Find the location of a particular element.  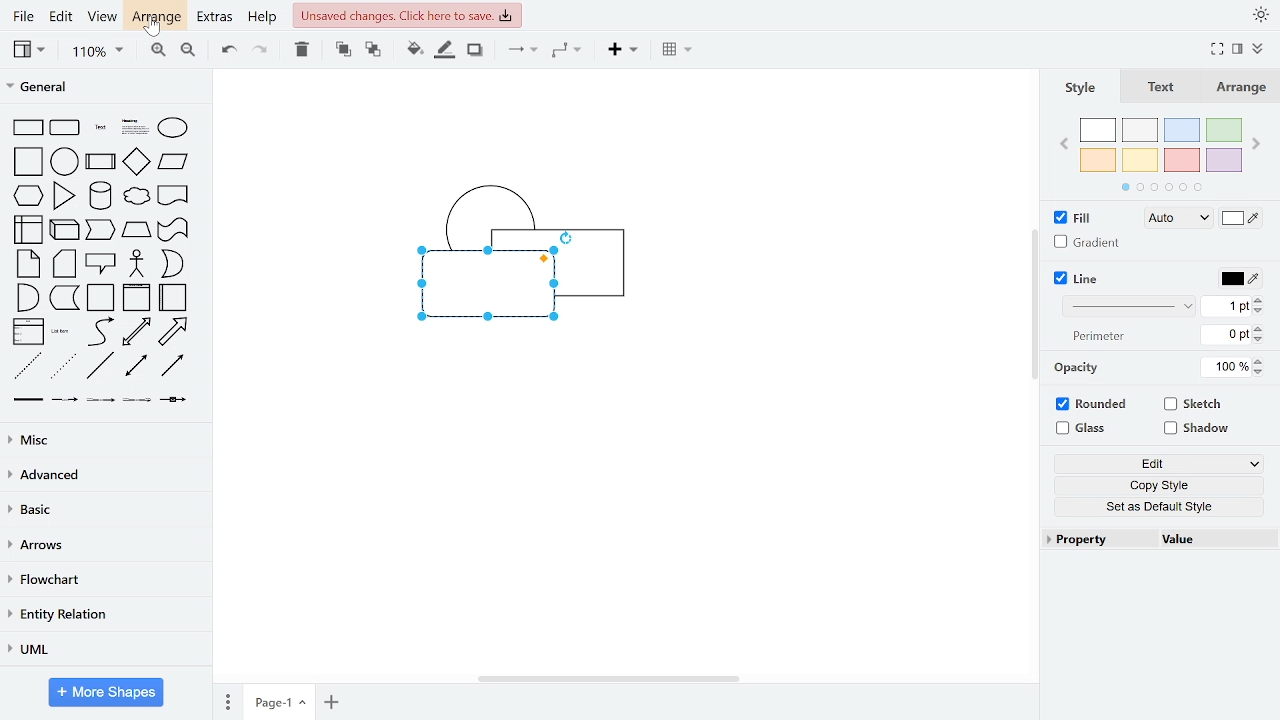

file is located at coordinates (22, 16).